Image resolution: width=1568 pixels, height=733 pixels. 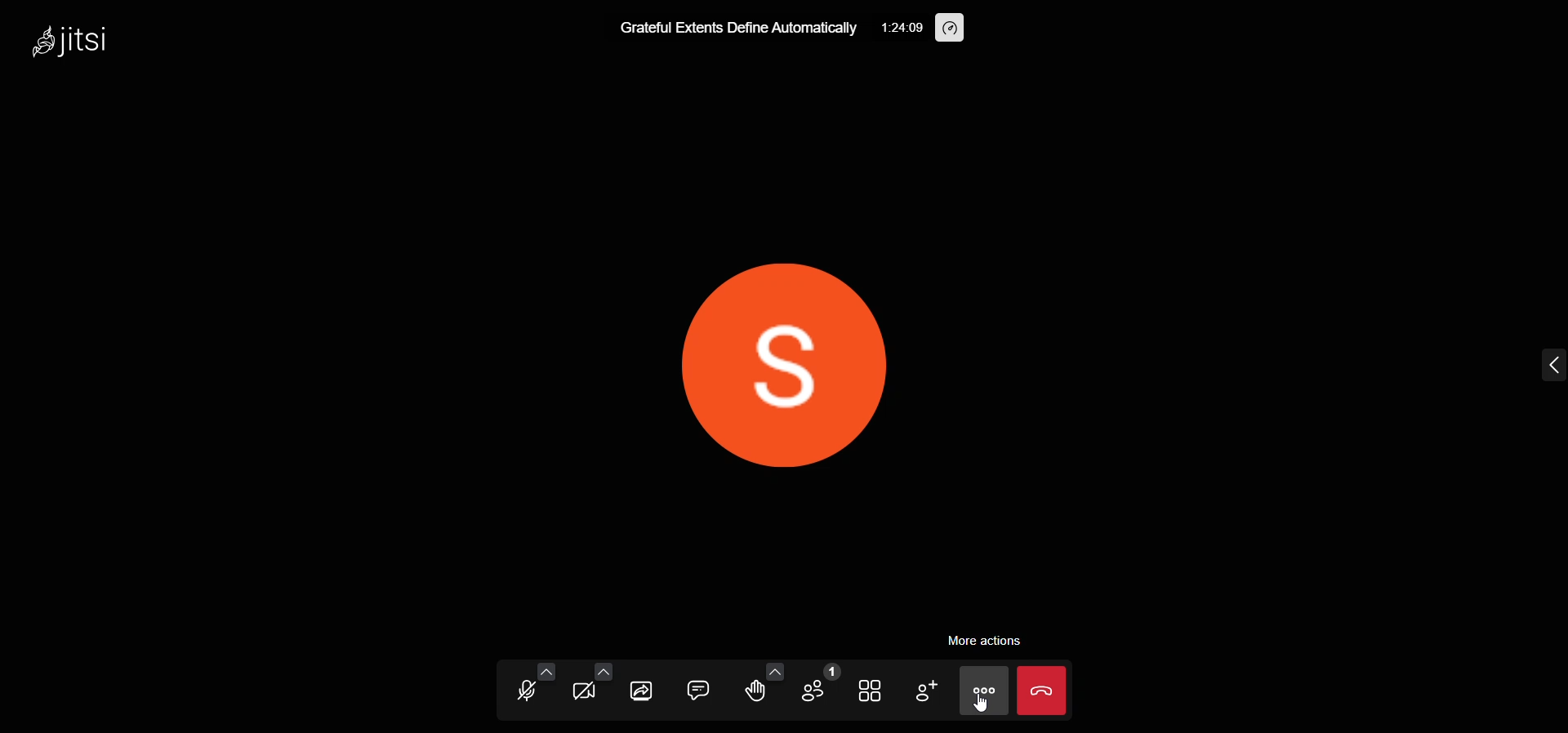 What do you see at coordinates (529, 692) in the screenshot?
I see `microphone` at bounding box center [529, 692].